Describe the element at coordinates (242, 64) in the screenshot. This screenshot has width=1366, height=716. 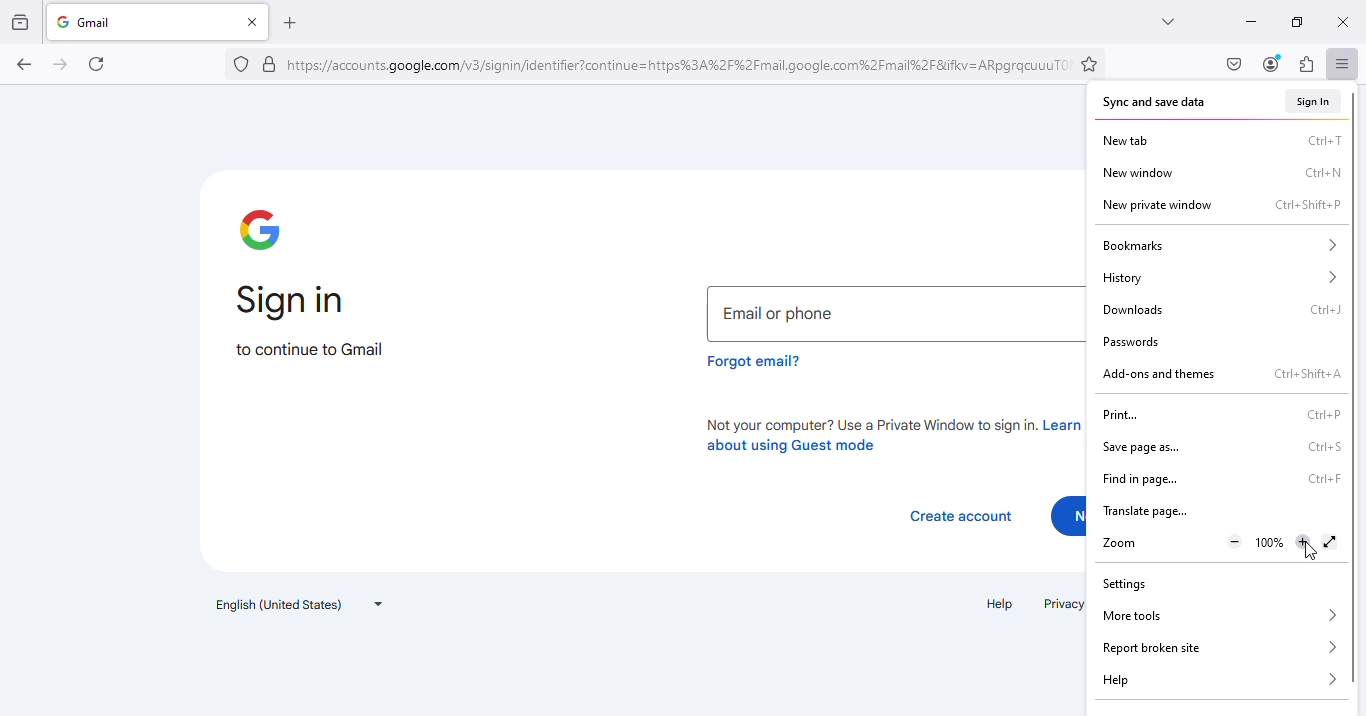
I see `no trackers known to firefox were detected on this page` at that location.